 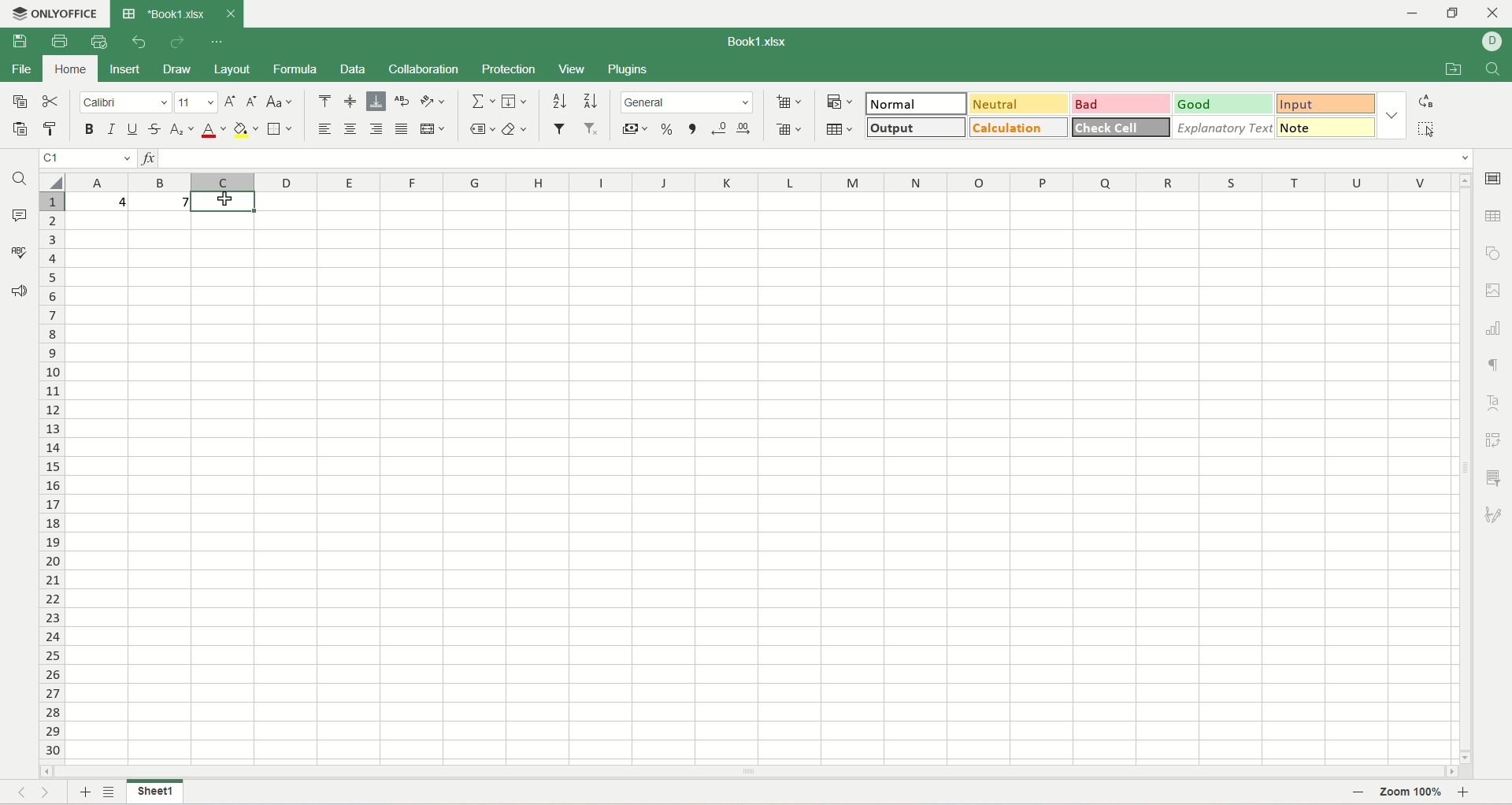 I want to click on sheet list, so click(x=109, y=793).